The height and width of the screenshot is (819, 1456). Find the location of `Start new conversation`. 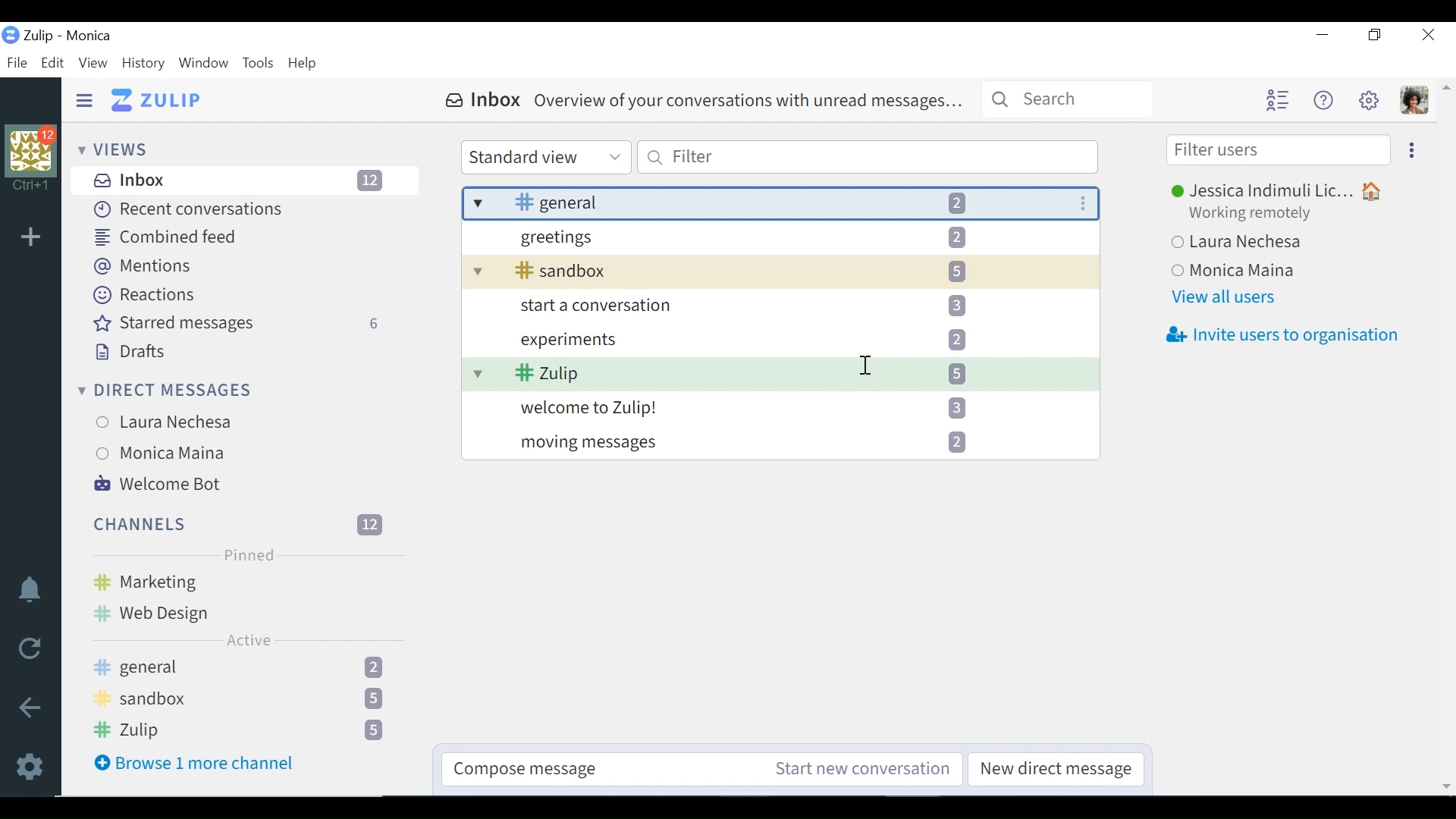

Start new conversation is located at coordinates (864, 771).